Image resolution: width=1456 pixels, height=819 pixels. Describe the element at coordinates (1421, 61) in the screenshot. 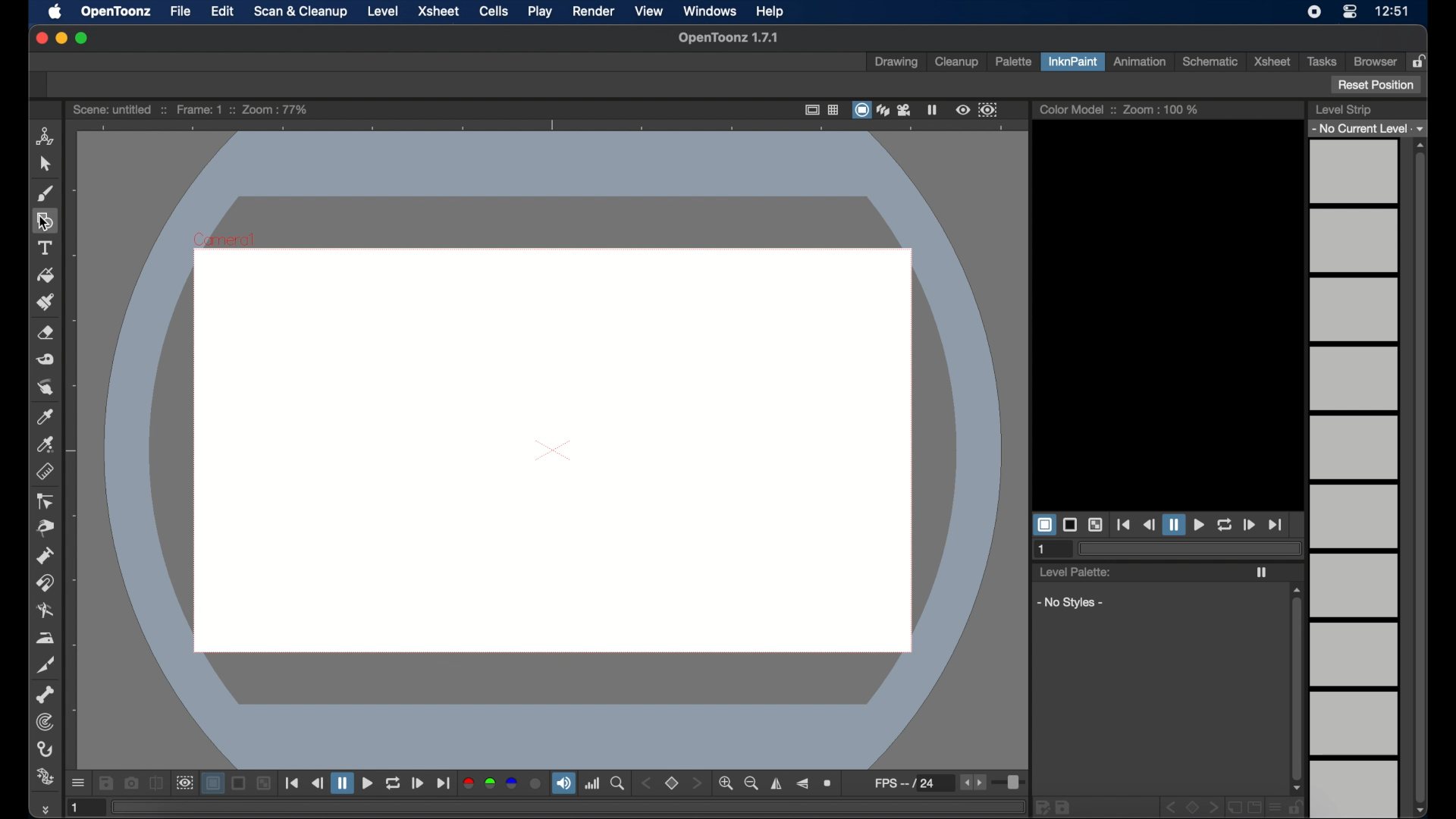

I see `lock rooms table` at that location.